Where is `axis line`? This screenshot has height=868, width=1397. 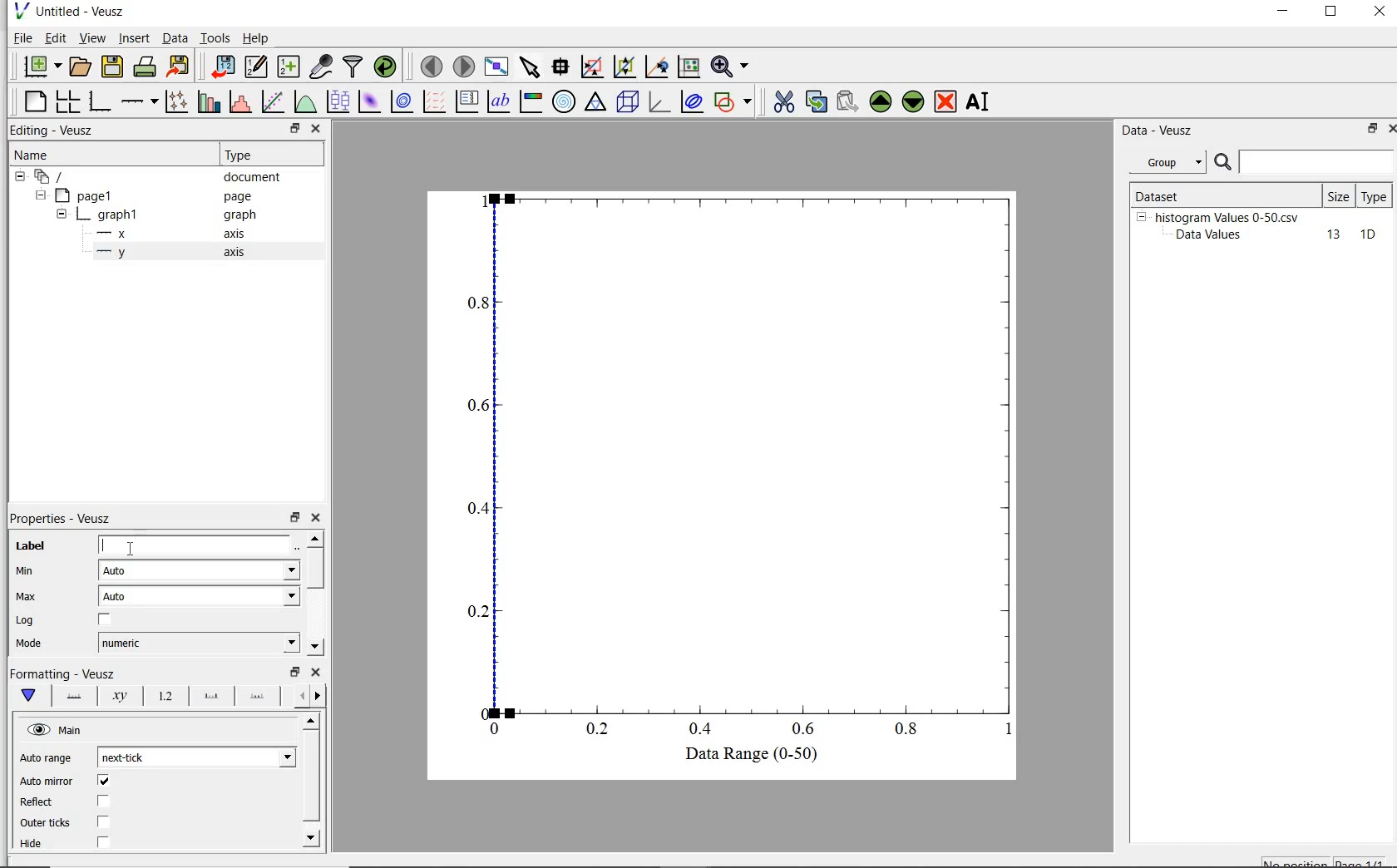
axis line is located at coordinates (73, 696).